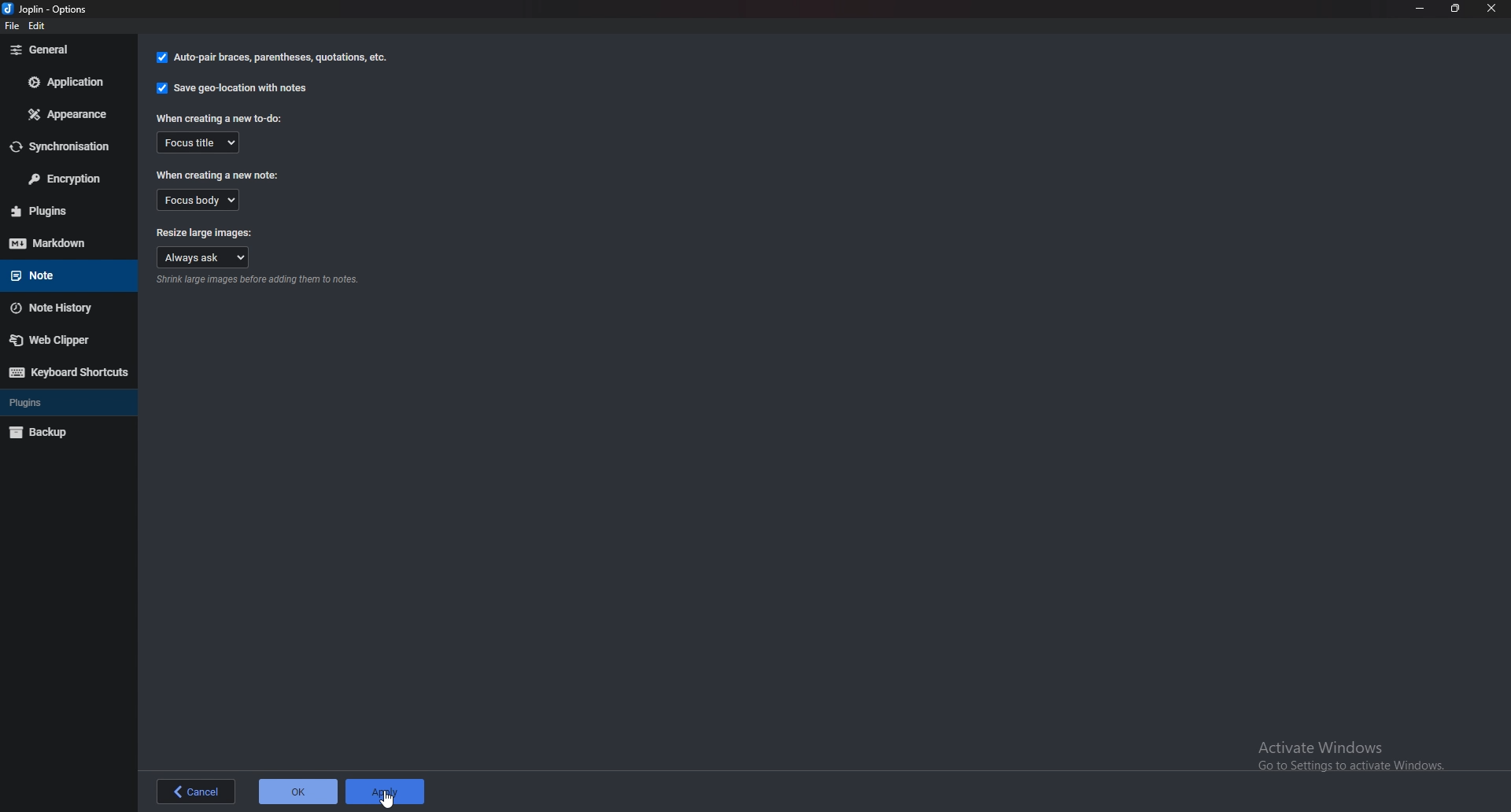  What do you see at coordinates (384, 790) in the screenshot?
I see `apply` at bounding box center [384, 790].